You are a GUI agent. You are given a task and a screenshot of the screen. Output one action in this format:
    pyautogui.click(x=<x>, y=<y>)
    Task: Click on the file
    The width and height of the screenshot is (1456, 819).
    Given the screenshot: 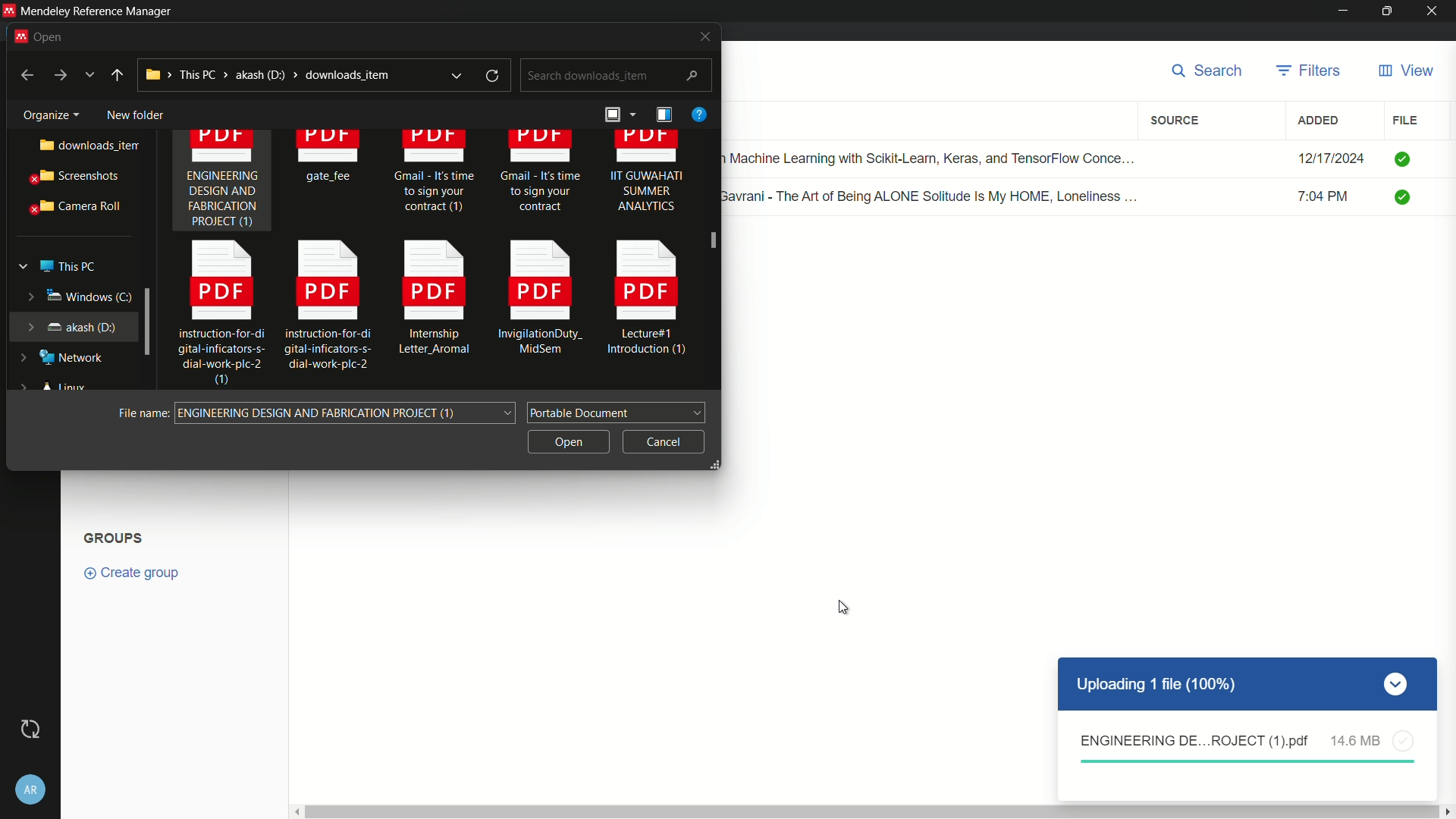 What is the action you would take?
    pyautogui.click(x=1405, y=120)
    